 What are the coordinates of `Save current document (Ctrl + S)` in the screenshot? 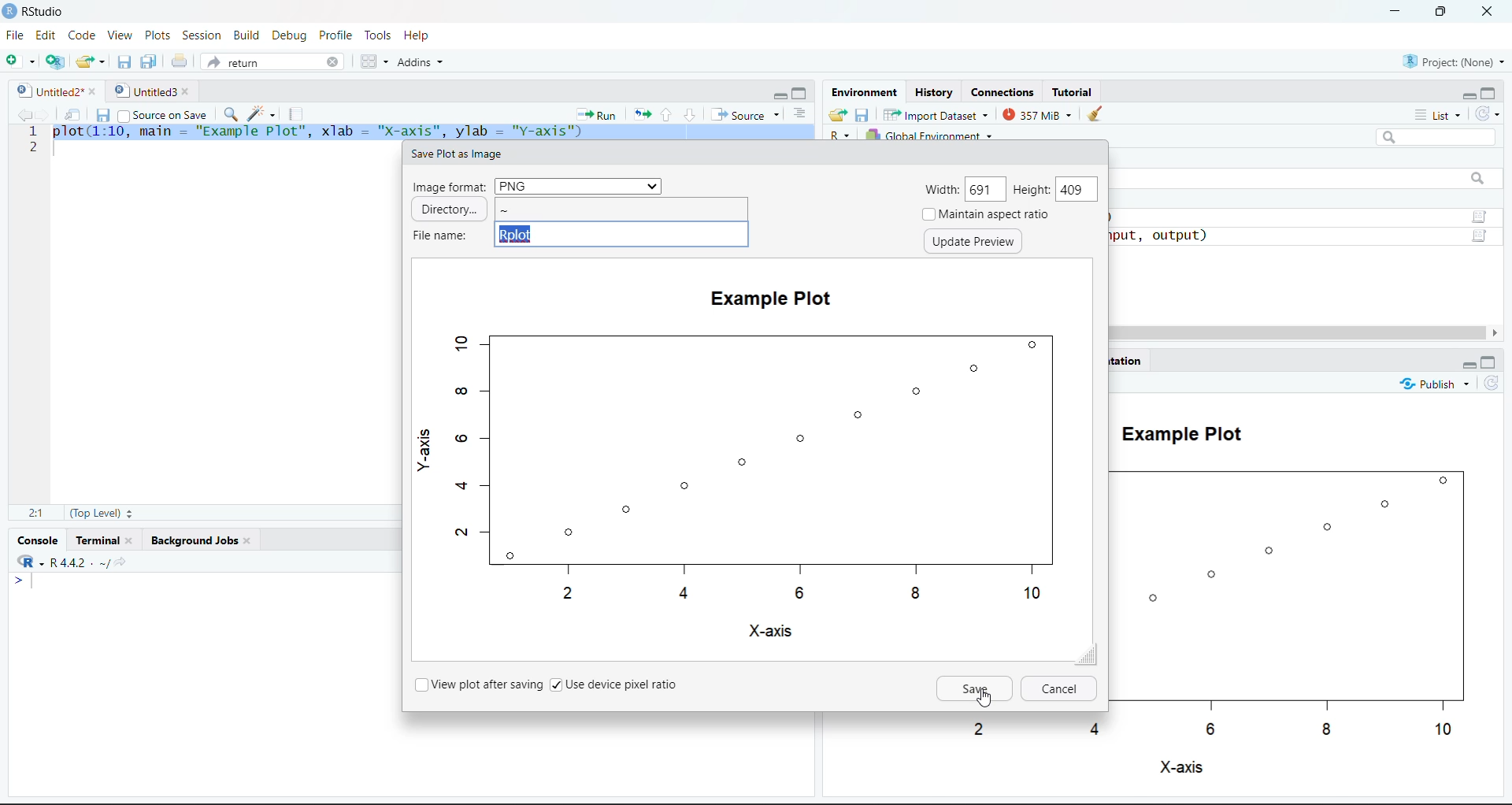 It's located at (124, 63).